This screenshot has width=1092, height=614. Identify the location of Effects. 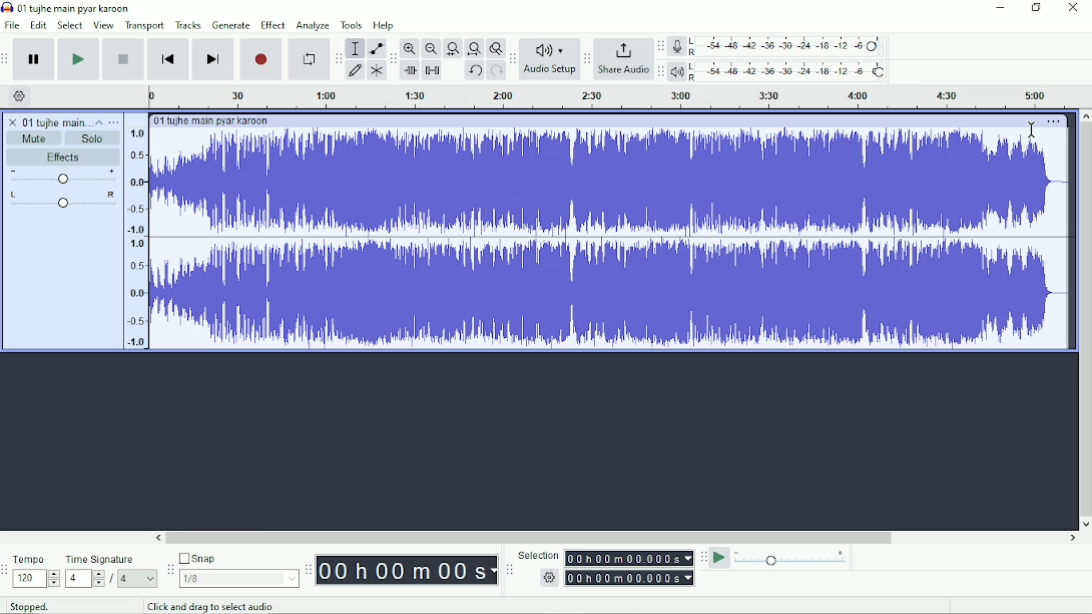
(63, 157).